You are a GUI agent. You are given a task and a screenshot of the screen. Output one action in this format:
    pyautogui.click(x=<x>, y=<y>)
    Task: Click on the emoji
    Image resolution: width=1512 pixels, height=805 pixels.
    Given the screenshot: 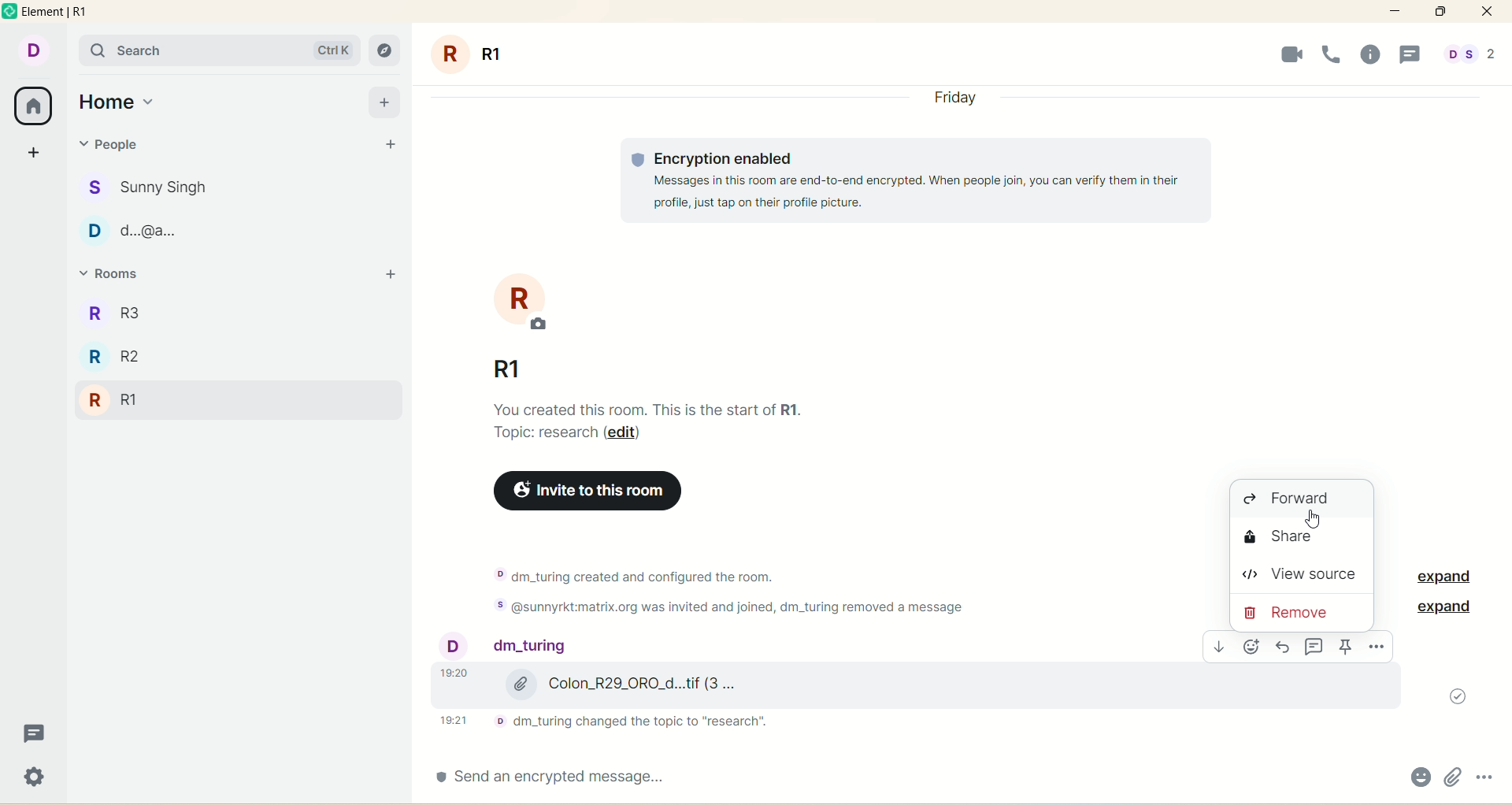 What is the action you would take?
    pyautogui.click(x=1254, y=644)
    